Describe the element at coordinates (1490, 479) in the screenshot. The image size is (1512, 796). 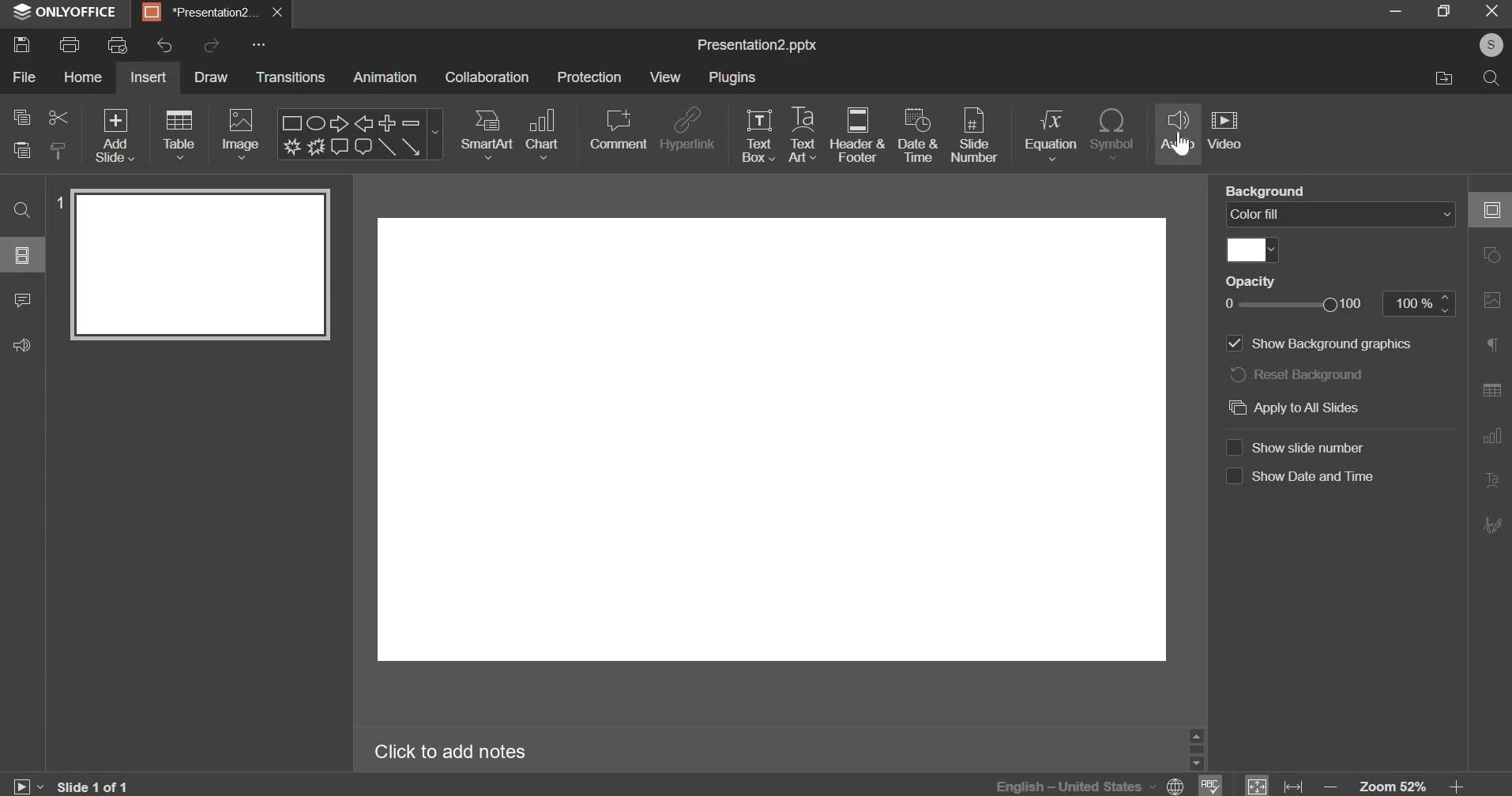
I see `text art settings` at that location.